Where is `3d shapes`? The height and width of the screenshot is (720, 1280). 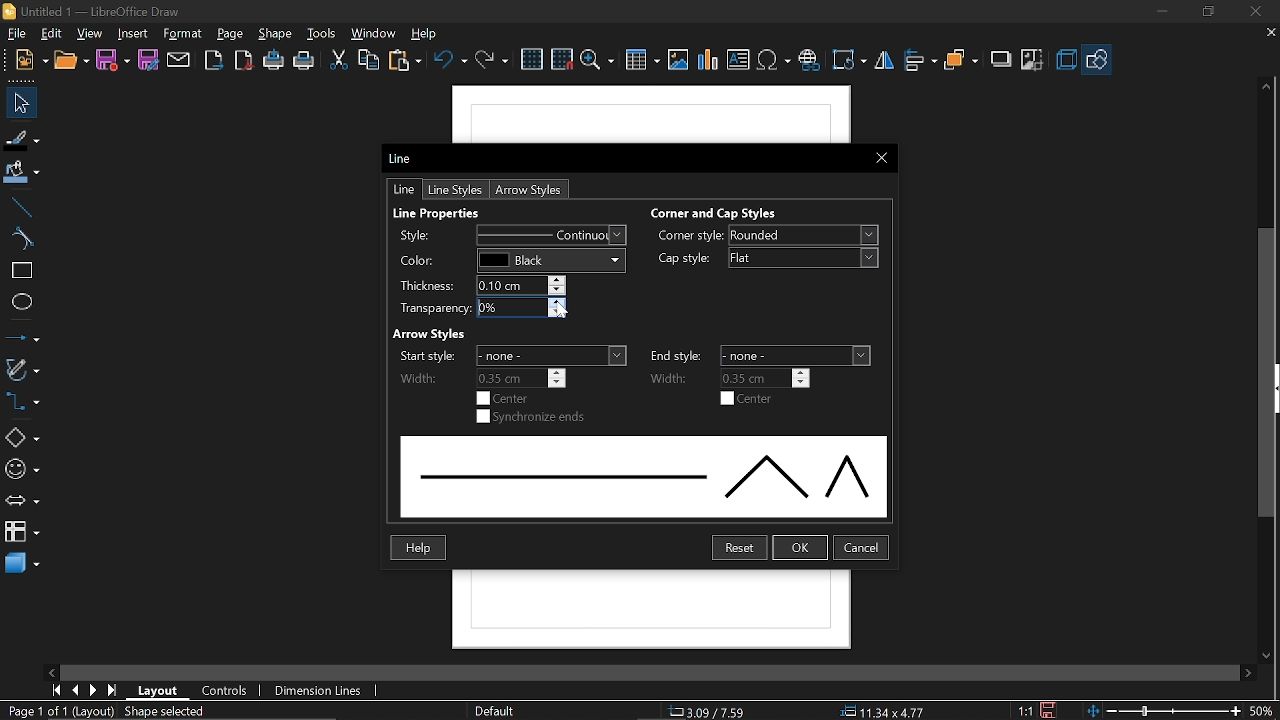 3d shapes is located at coordinates (21, 564).